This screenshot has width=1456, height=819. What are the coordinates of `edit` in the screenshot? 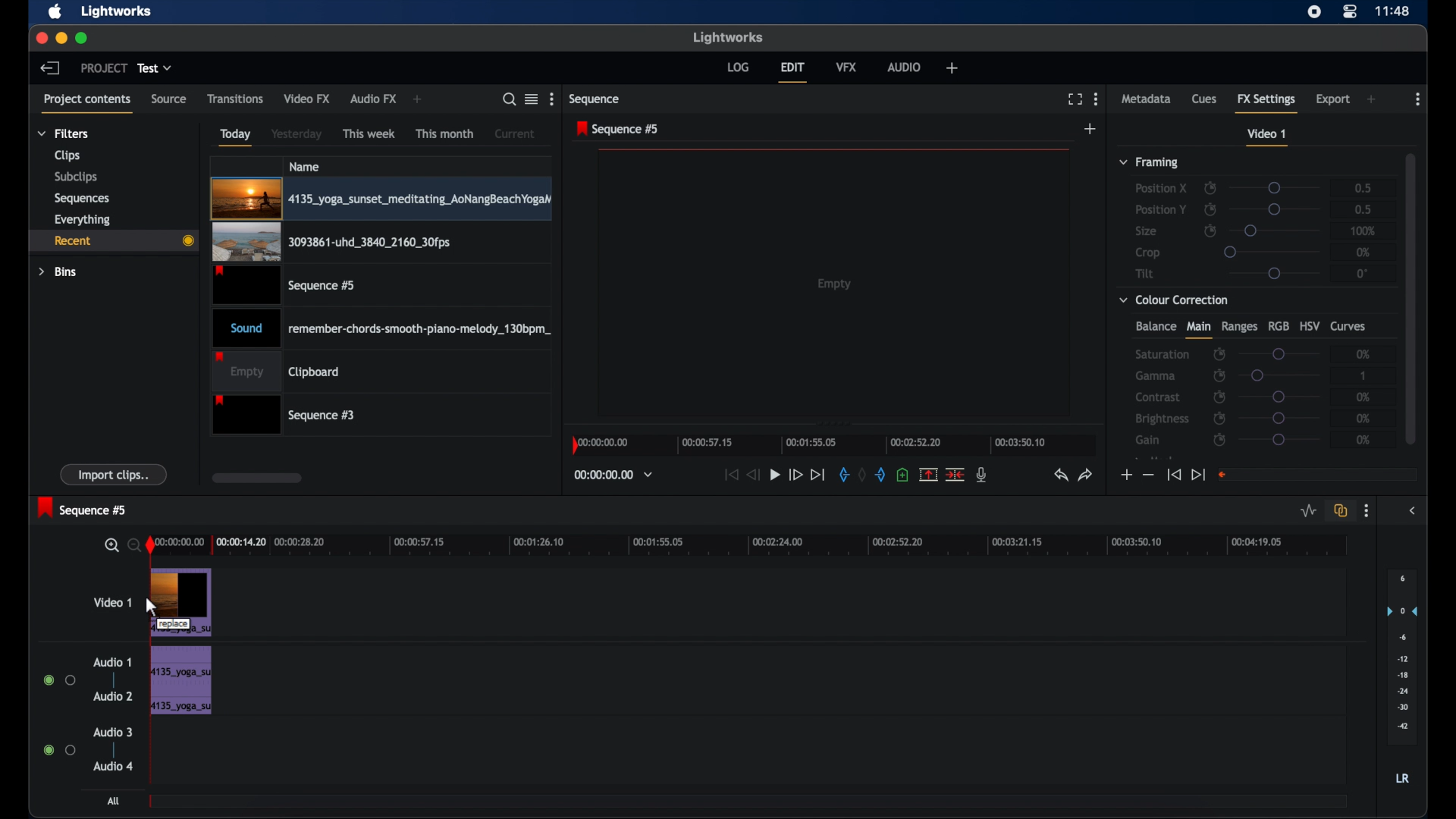 It's located at (792, 72).